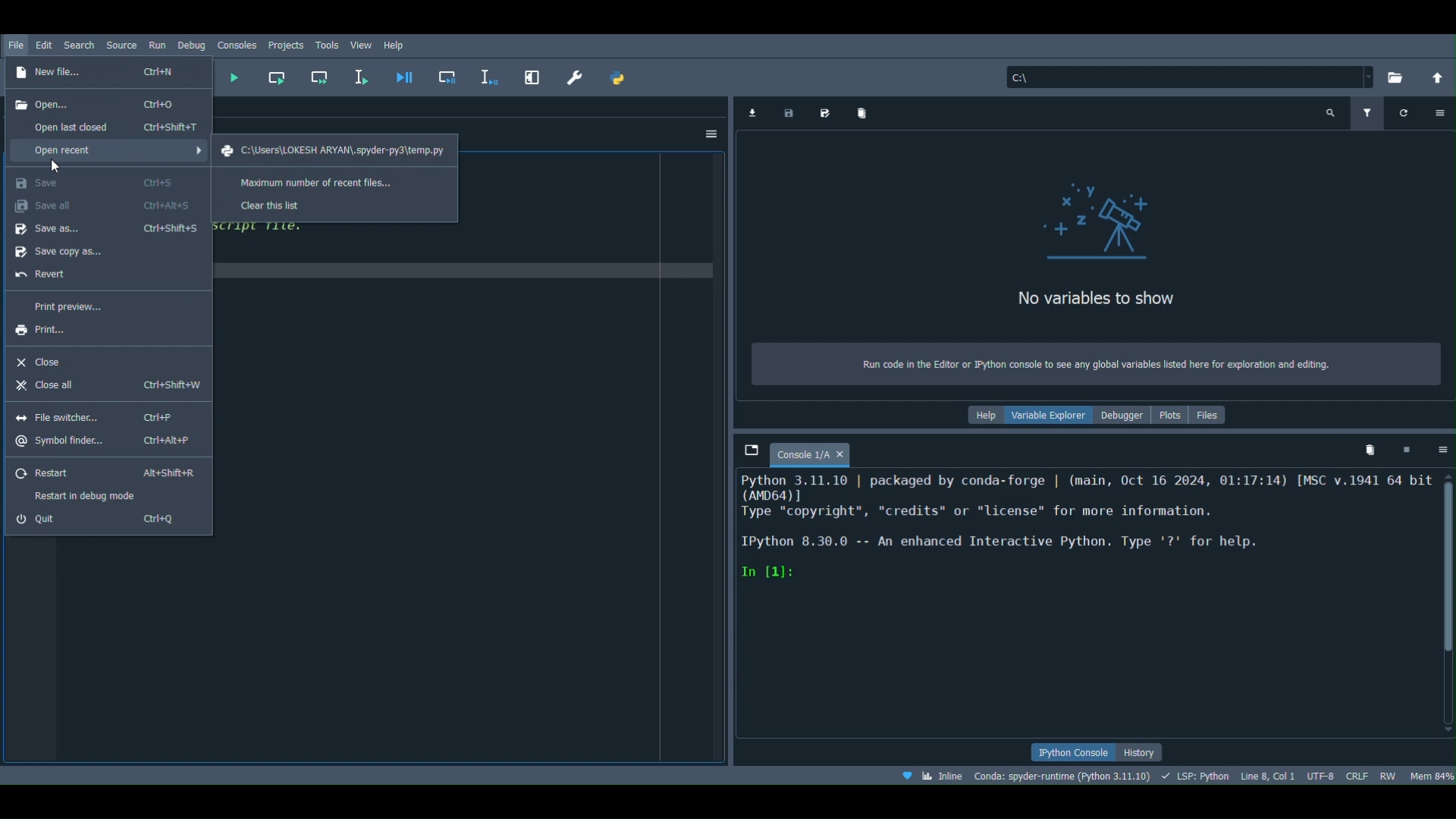 The width and height of the screenshot is (1456, 819). Describe the element at coordinates (111, 124) in the screenshot. I see `Open last closed` at that location.